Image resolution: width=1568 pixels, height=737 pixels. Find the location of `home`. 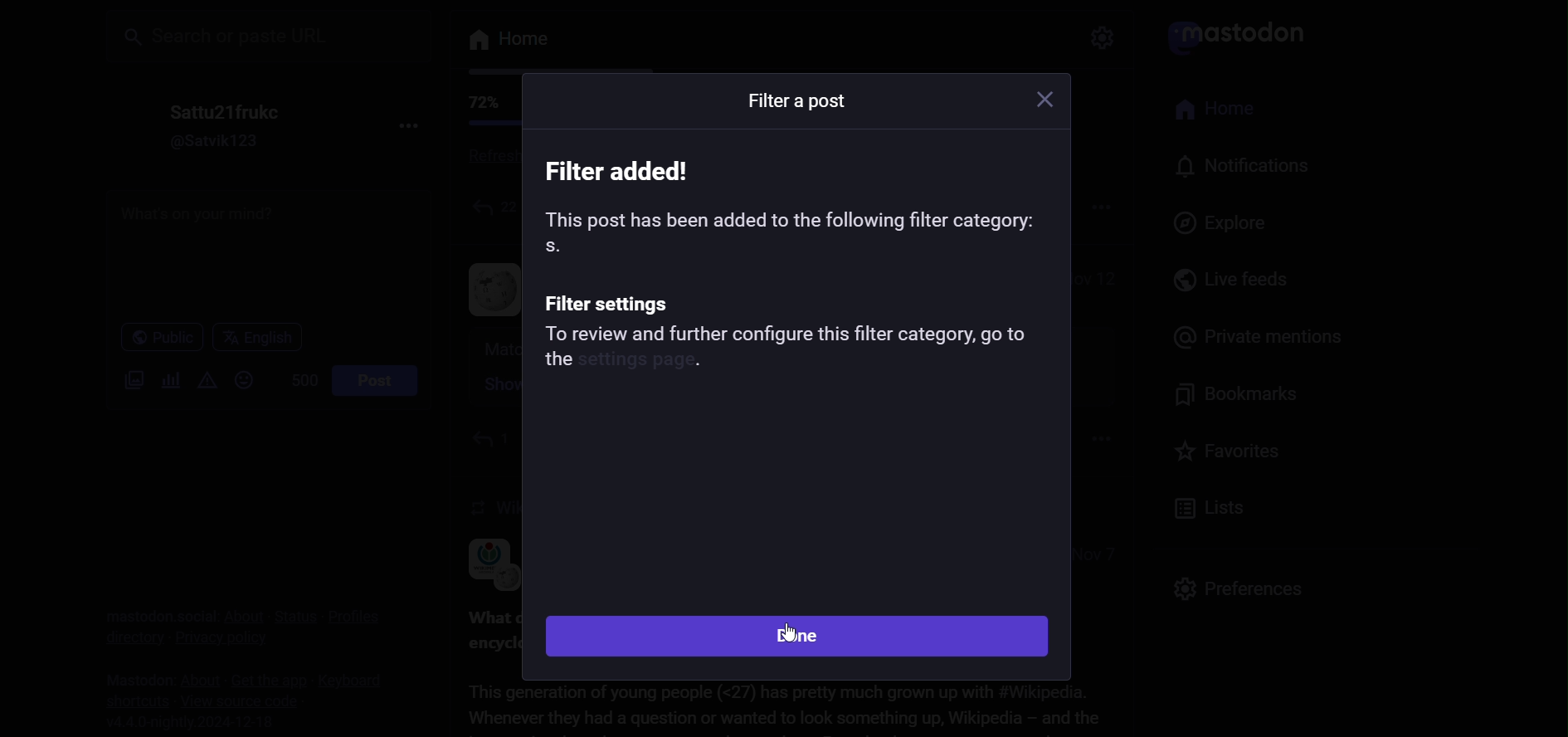

home is located at coordinates (505, 41).